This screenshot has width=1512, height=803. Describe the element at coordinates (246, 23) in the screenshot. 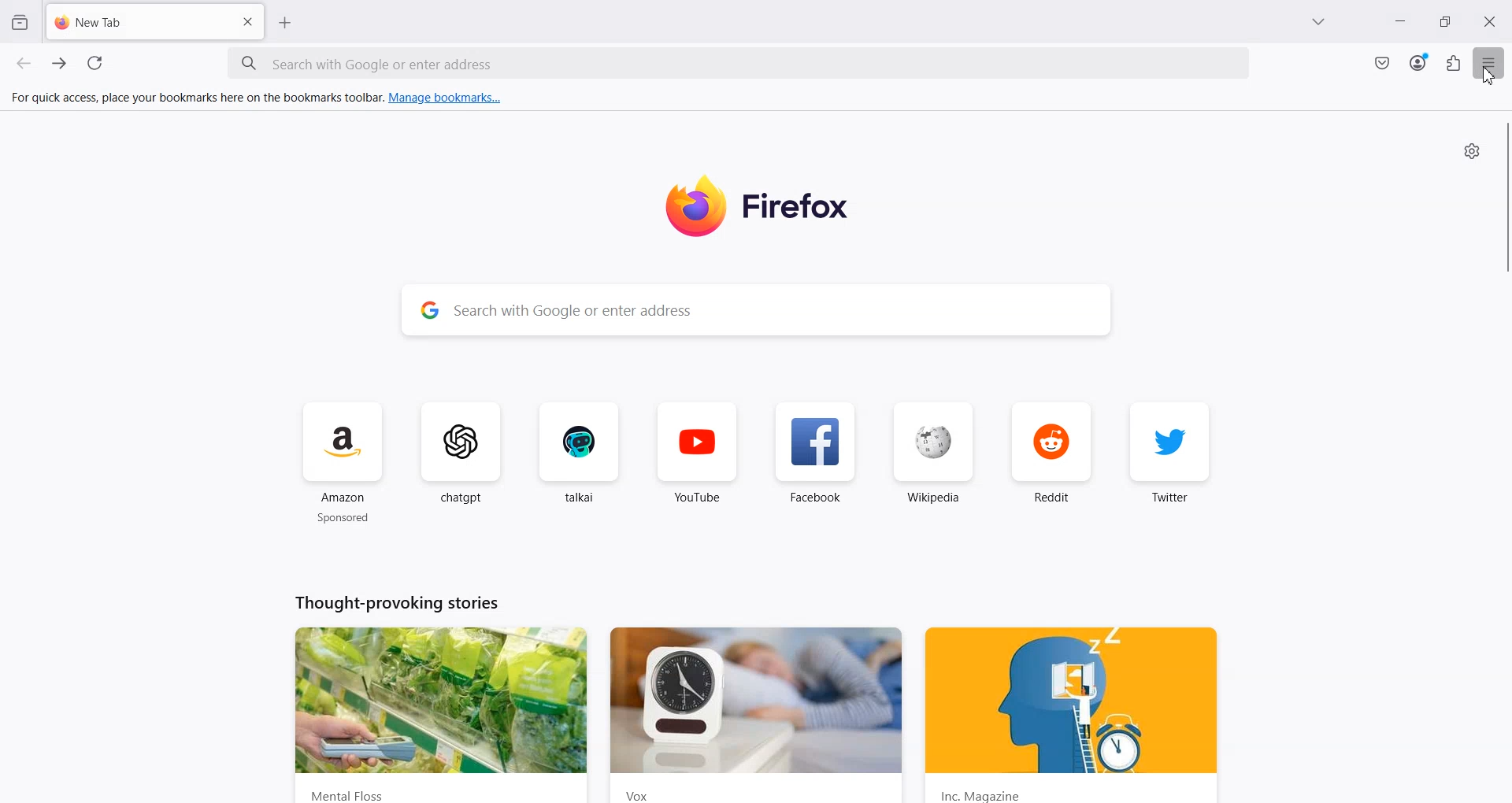

I see `Close` at that location.